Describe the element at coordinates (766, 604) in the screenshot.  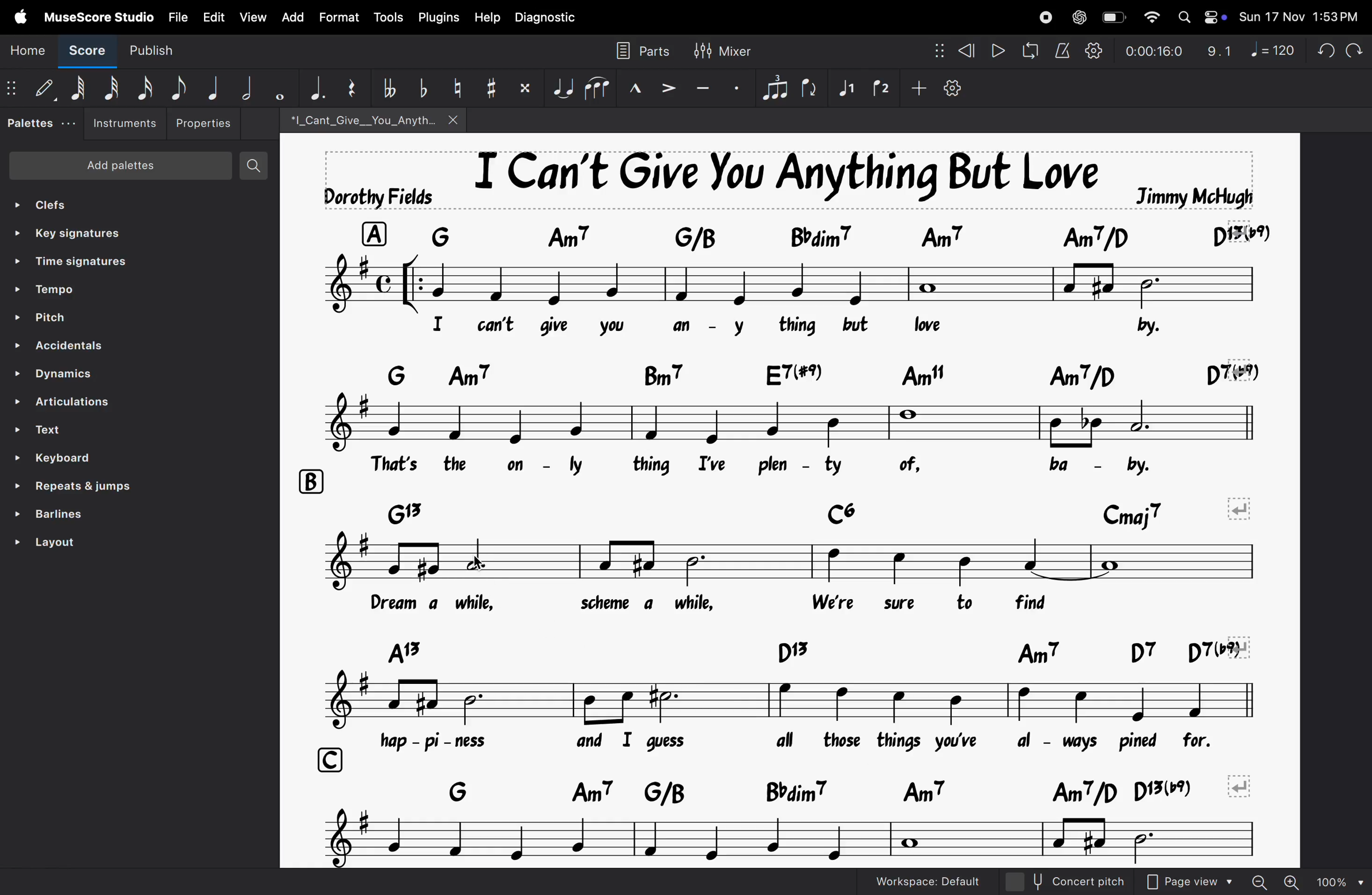
I see `lyrics` at that location.